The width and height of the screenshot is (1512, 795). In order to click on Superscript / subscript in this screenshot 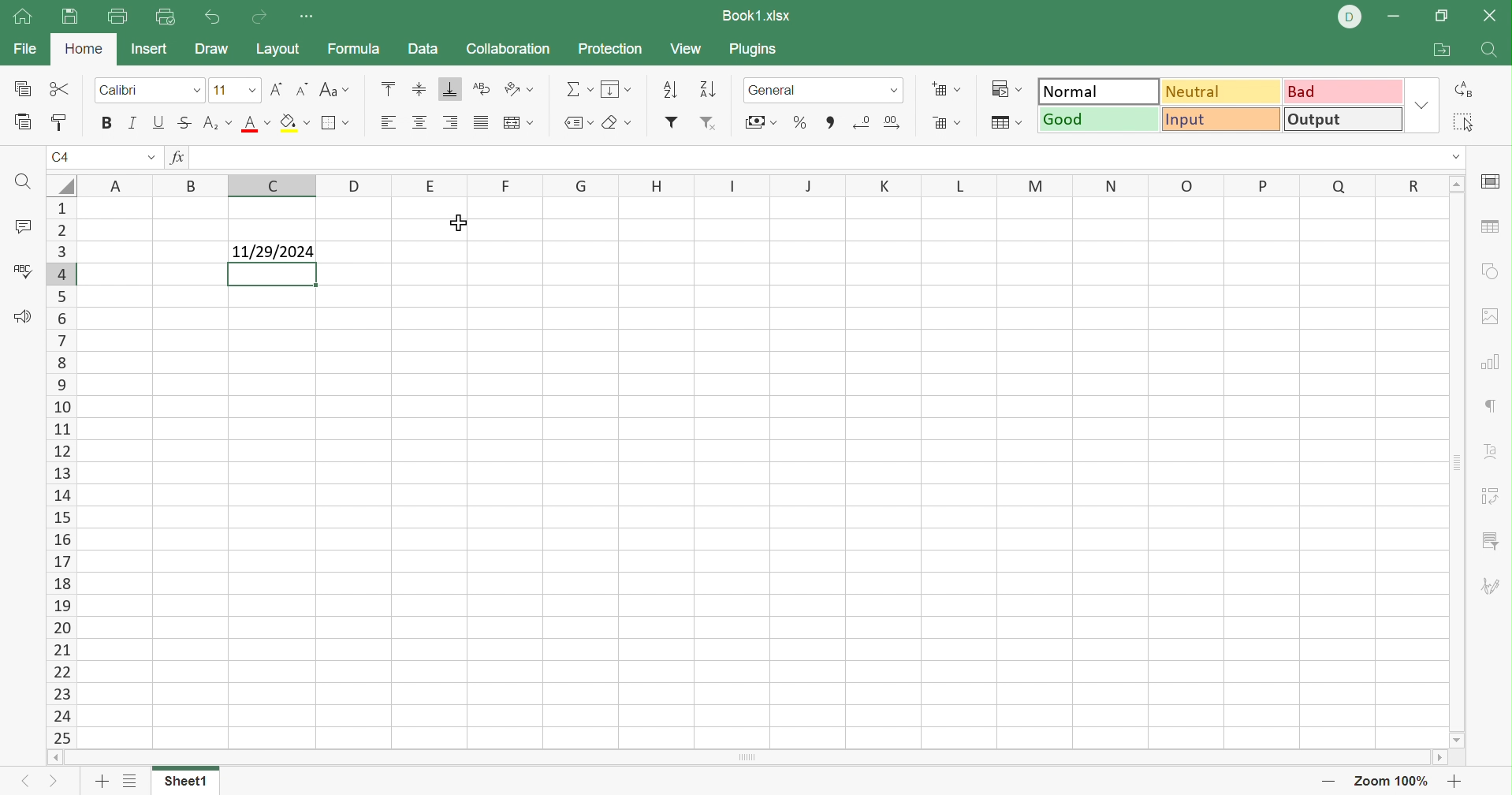, I will do `click(219, 124)`.